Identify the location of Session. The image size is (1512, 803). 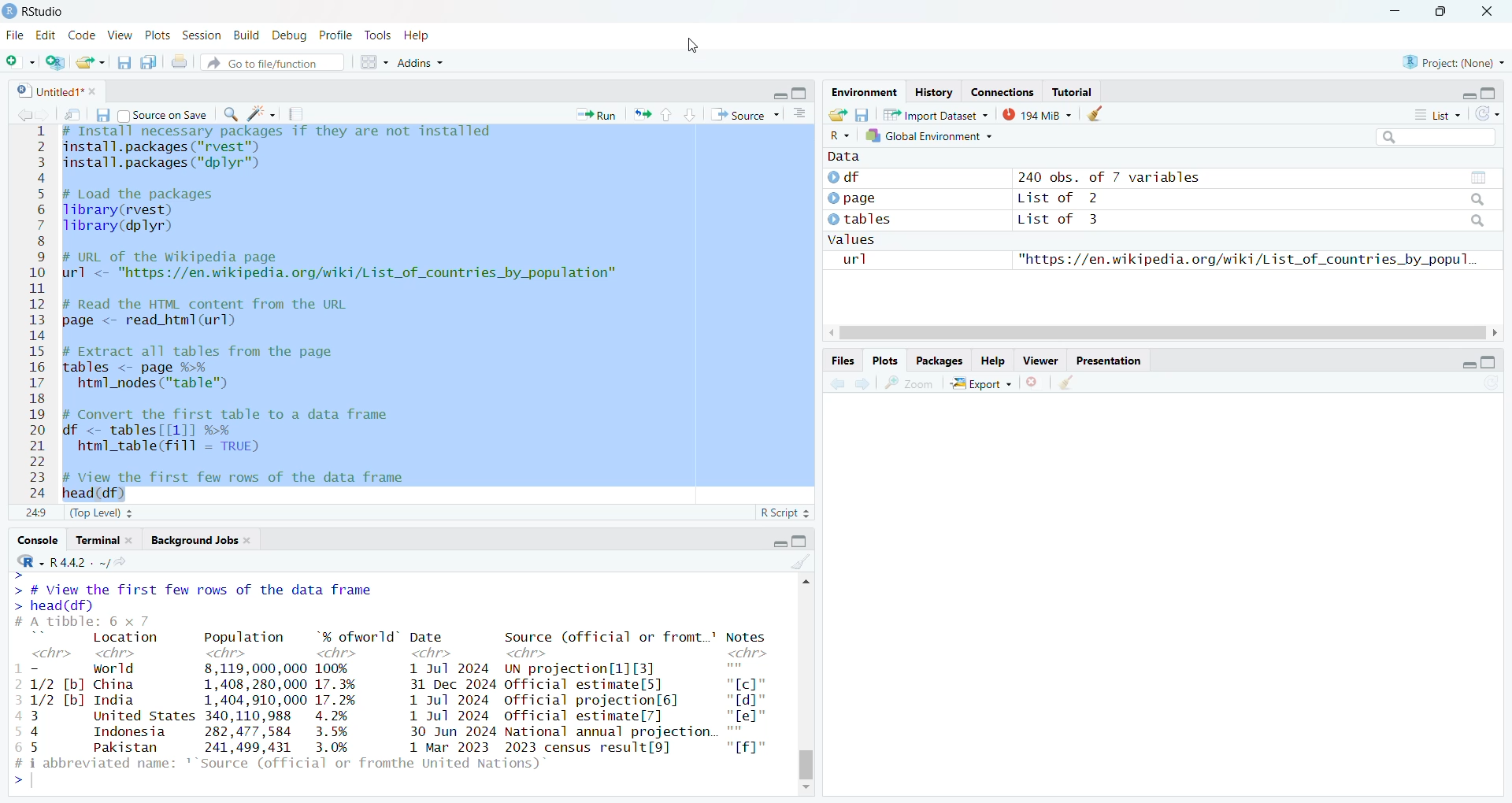
(202, 35).